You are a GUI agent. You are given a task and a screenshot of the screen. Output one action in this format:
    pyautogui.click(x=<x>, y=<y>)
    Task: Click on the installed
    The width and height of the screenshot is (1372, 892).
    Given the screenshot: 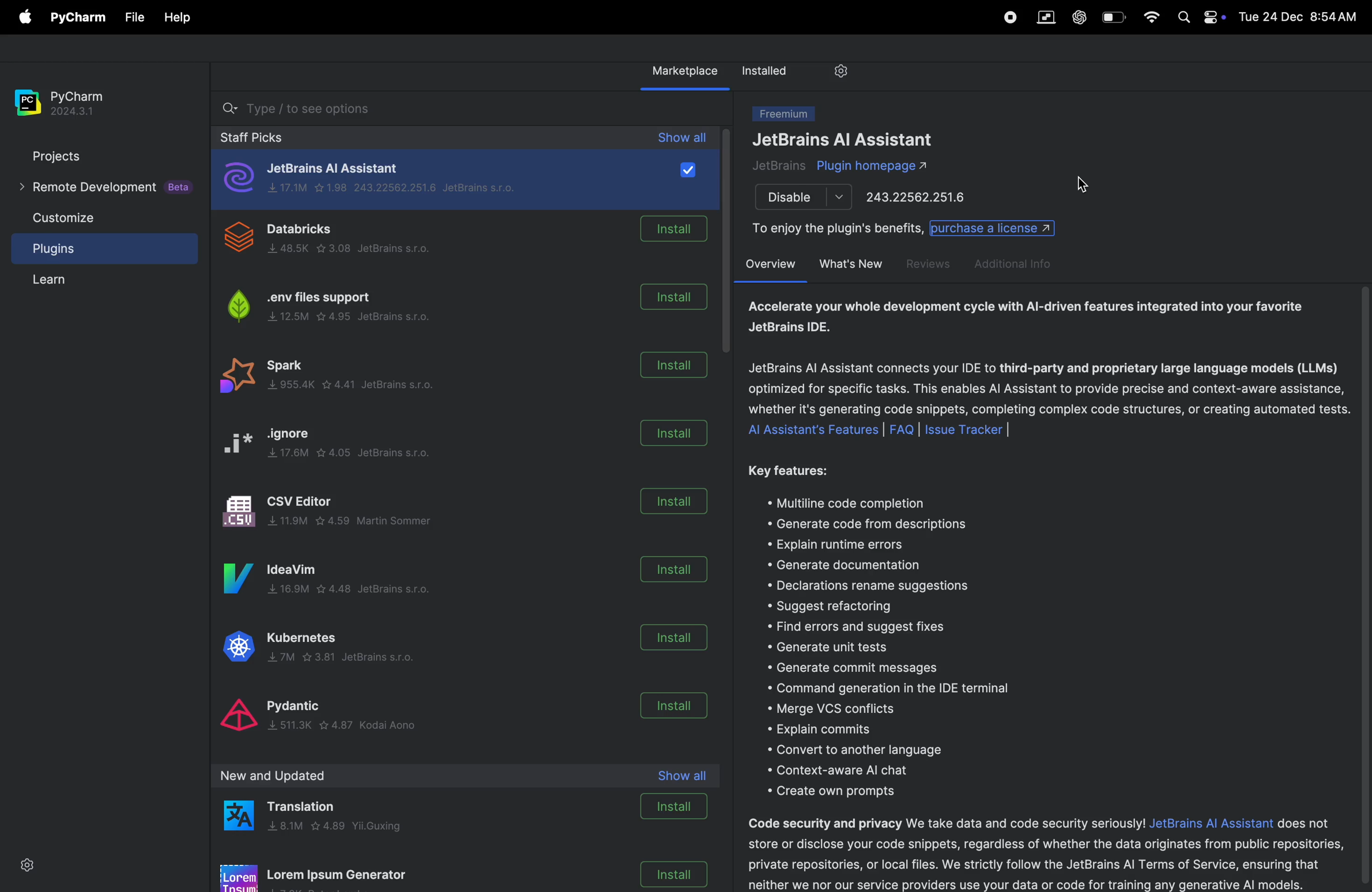 What is the action you would take?
    pyautogui.click(x=770, y=71)
    